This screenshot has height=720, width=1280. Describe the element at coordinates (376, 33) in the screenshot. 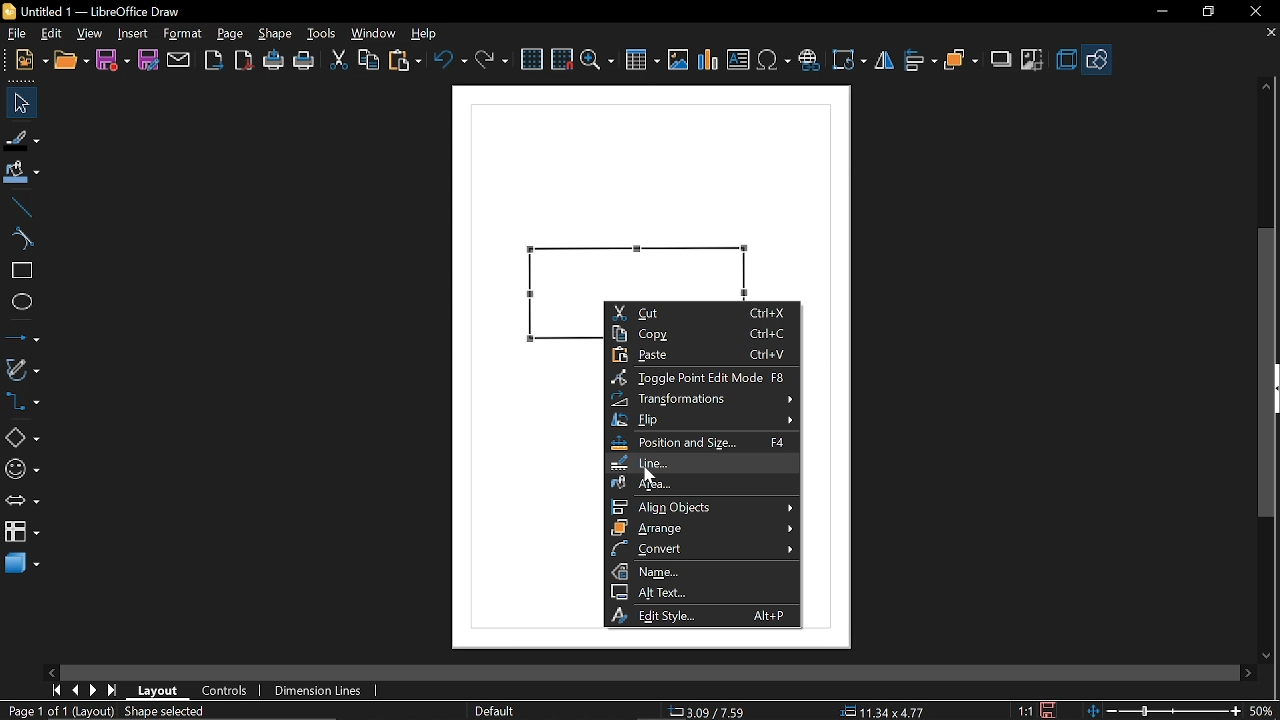

I see `window` at that location.